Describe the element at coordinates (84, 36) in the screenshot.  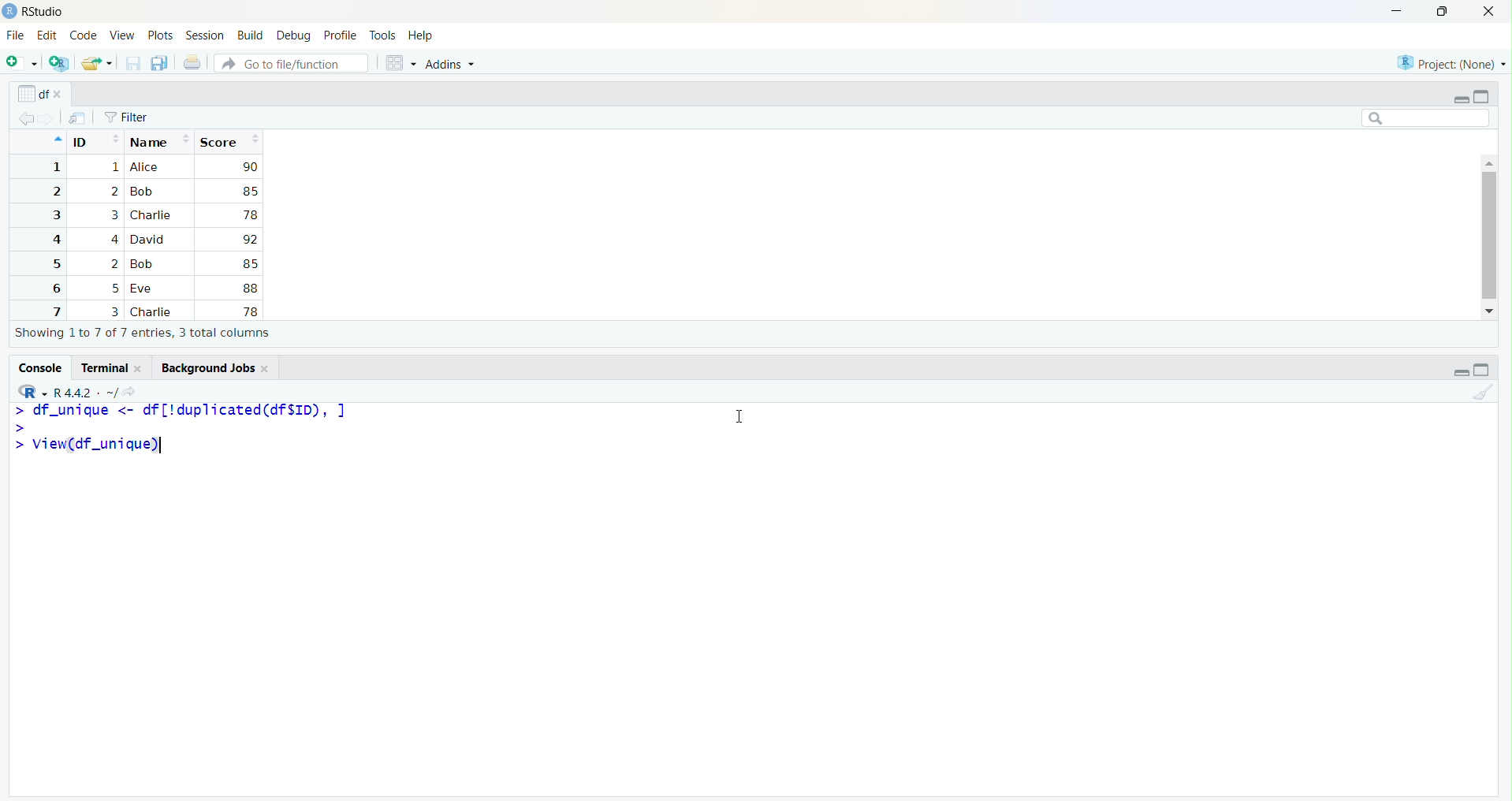
I see `Code` at that location.